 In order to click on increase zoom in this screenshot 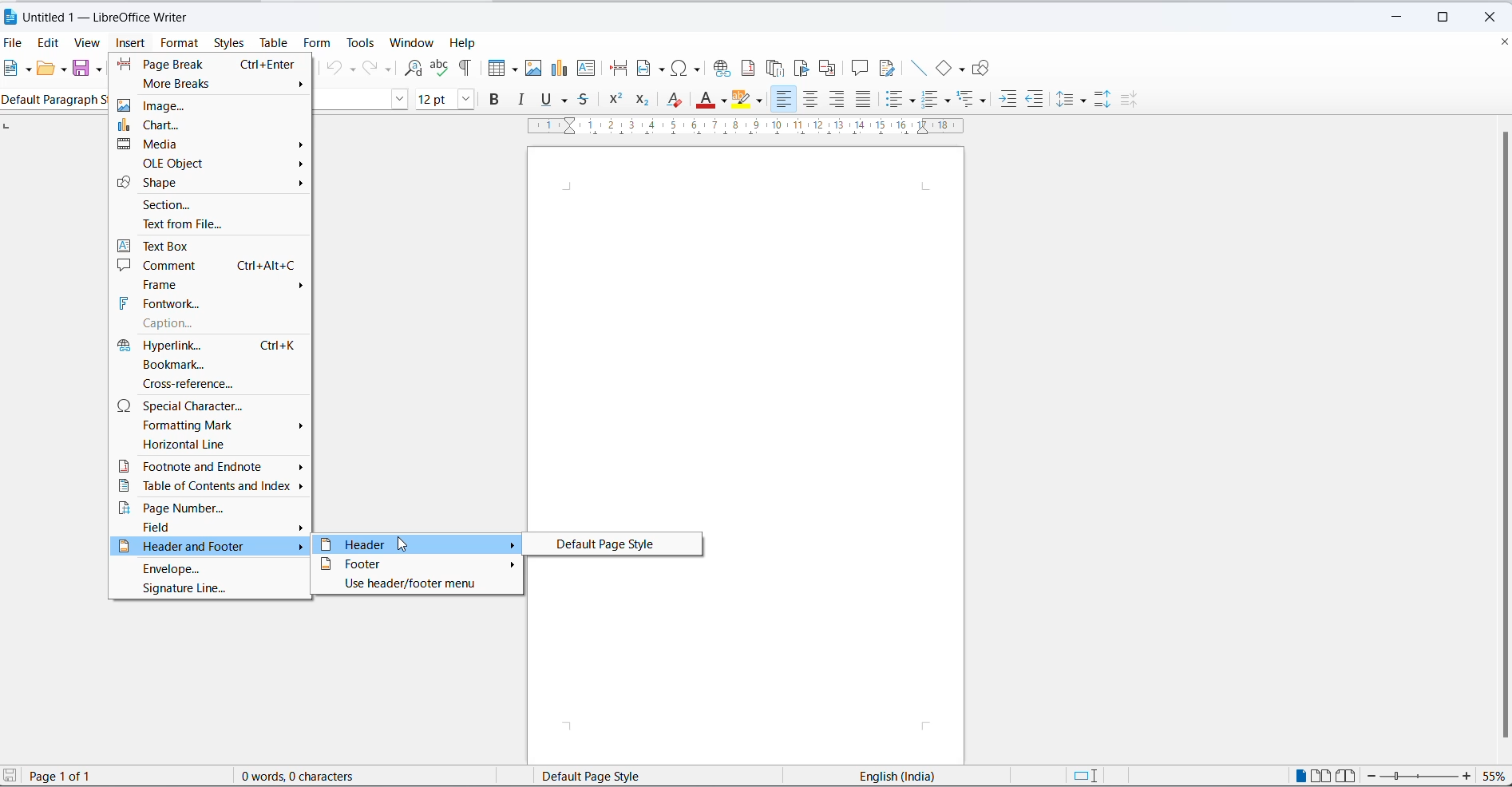, I will do `click(1467, 777)`.